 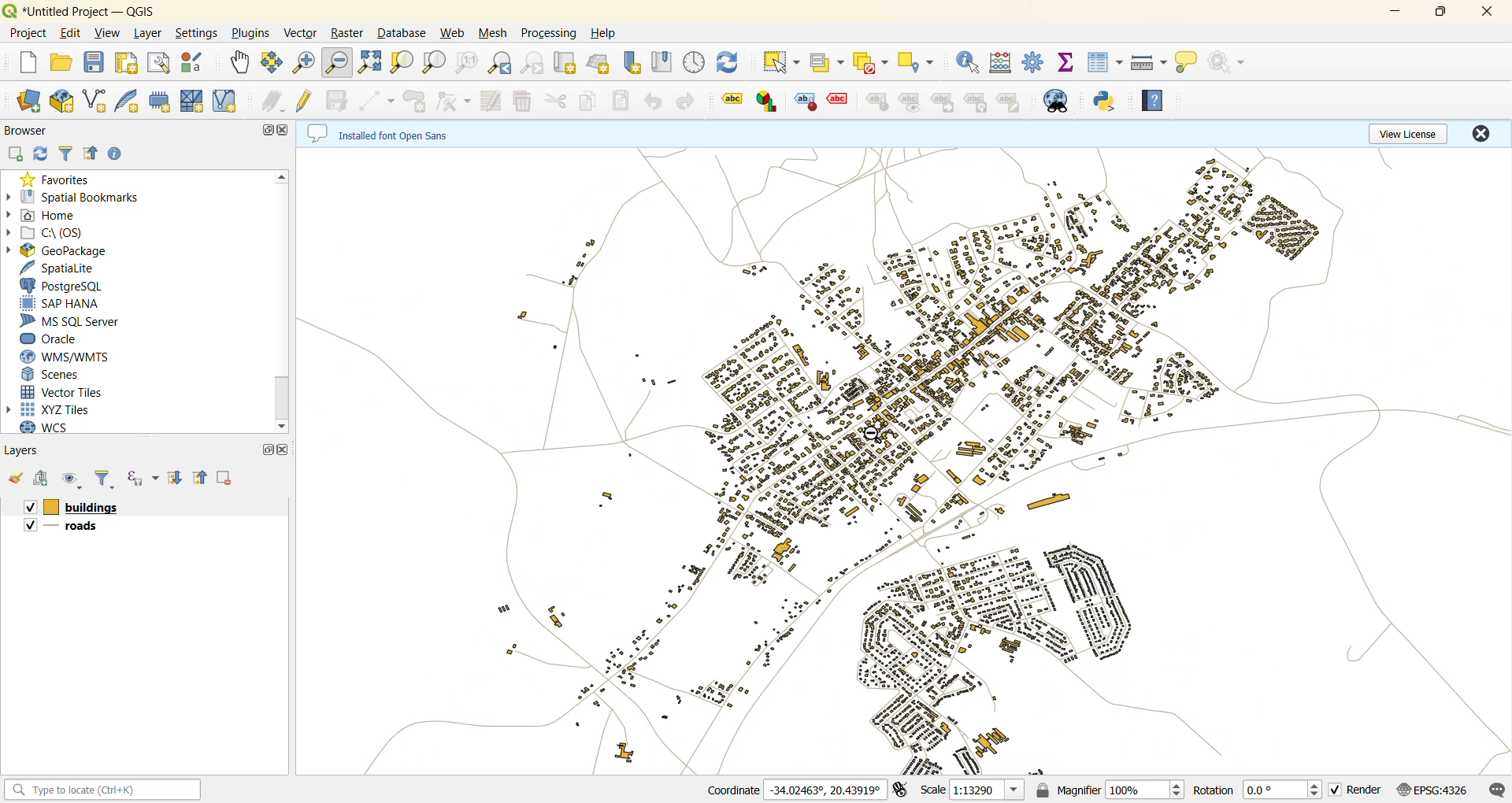 What do you see at coordinates (698, 63) in the screenshot?
I see `control panel` at bounding box center [698, 63].